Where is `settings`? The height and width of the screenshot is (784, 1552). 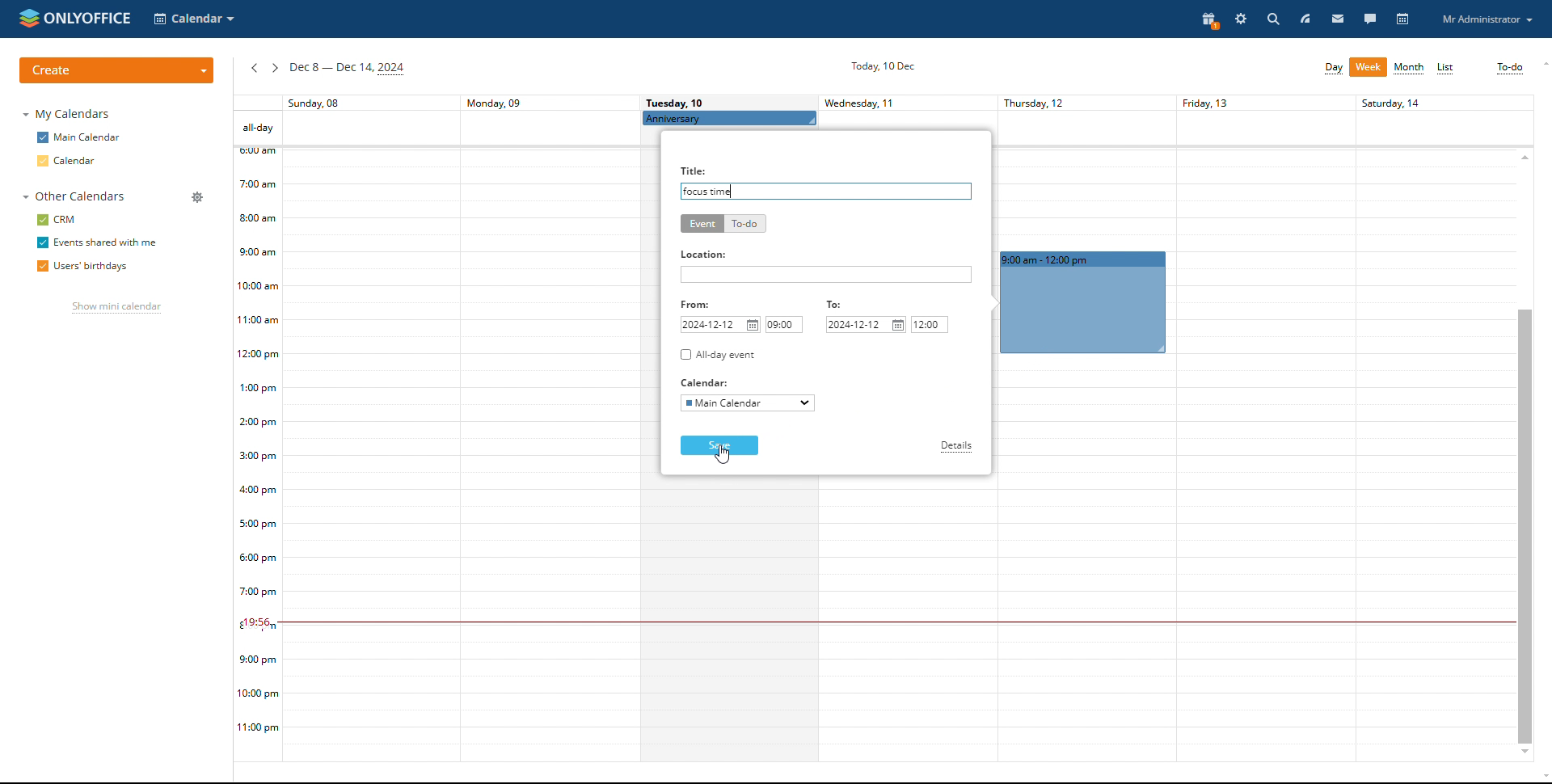
settings is located at coordinates (1240, 19).